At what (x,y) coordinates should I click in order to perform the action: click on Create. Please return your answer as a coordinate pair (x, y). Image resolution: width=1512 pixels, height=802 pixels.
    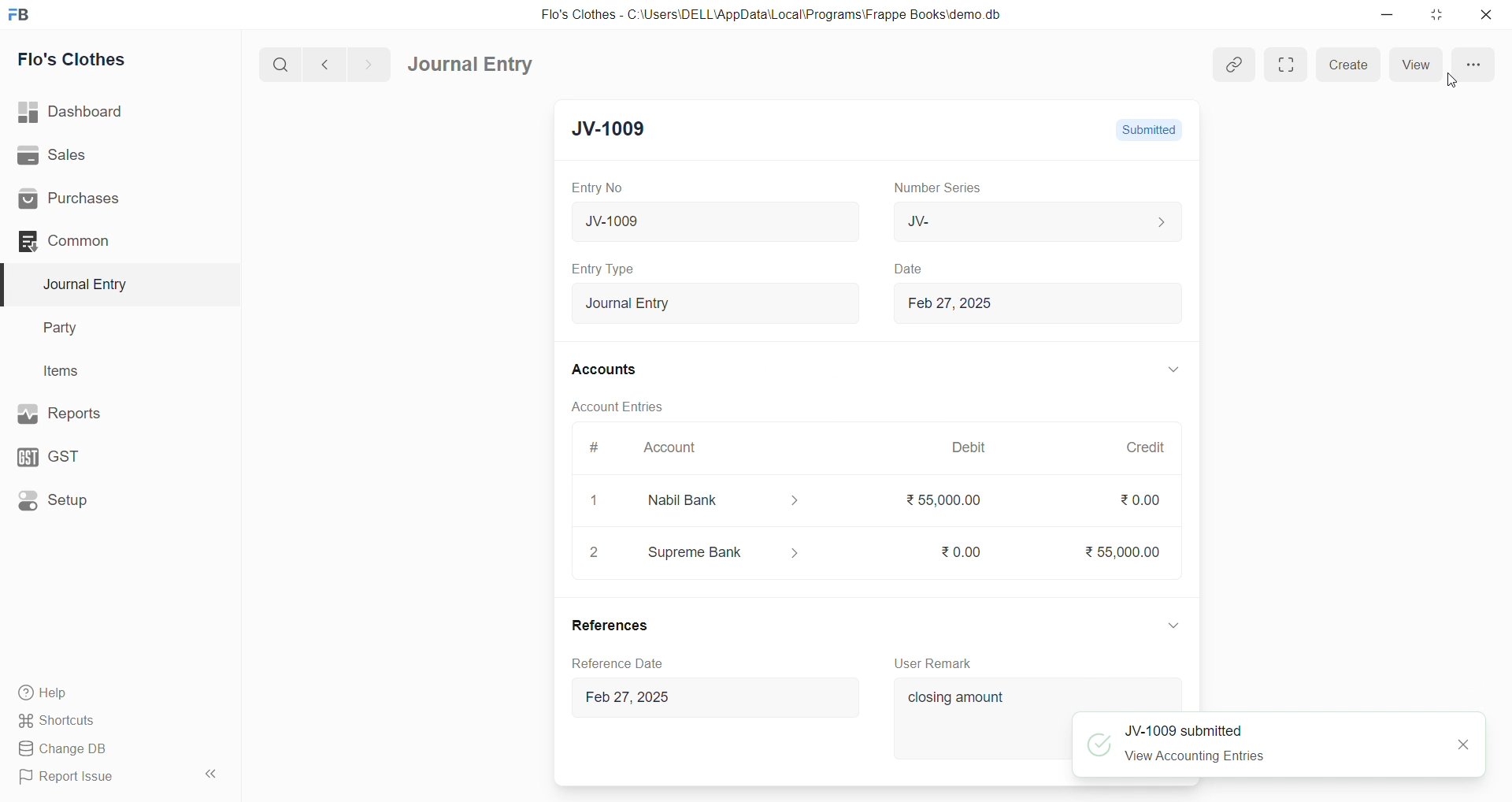
    Looking at the image, I should click on (1351, 65).